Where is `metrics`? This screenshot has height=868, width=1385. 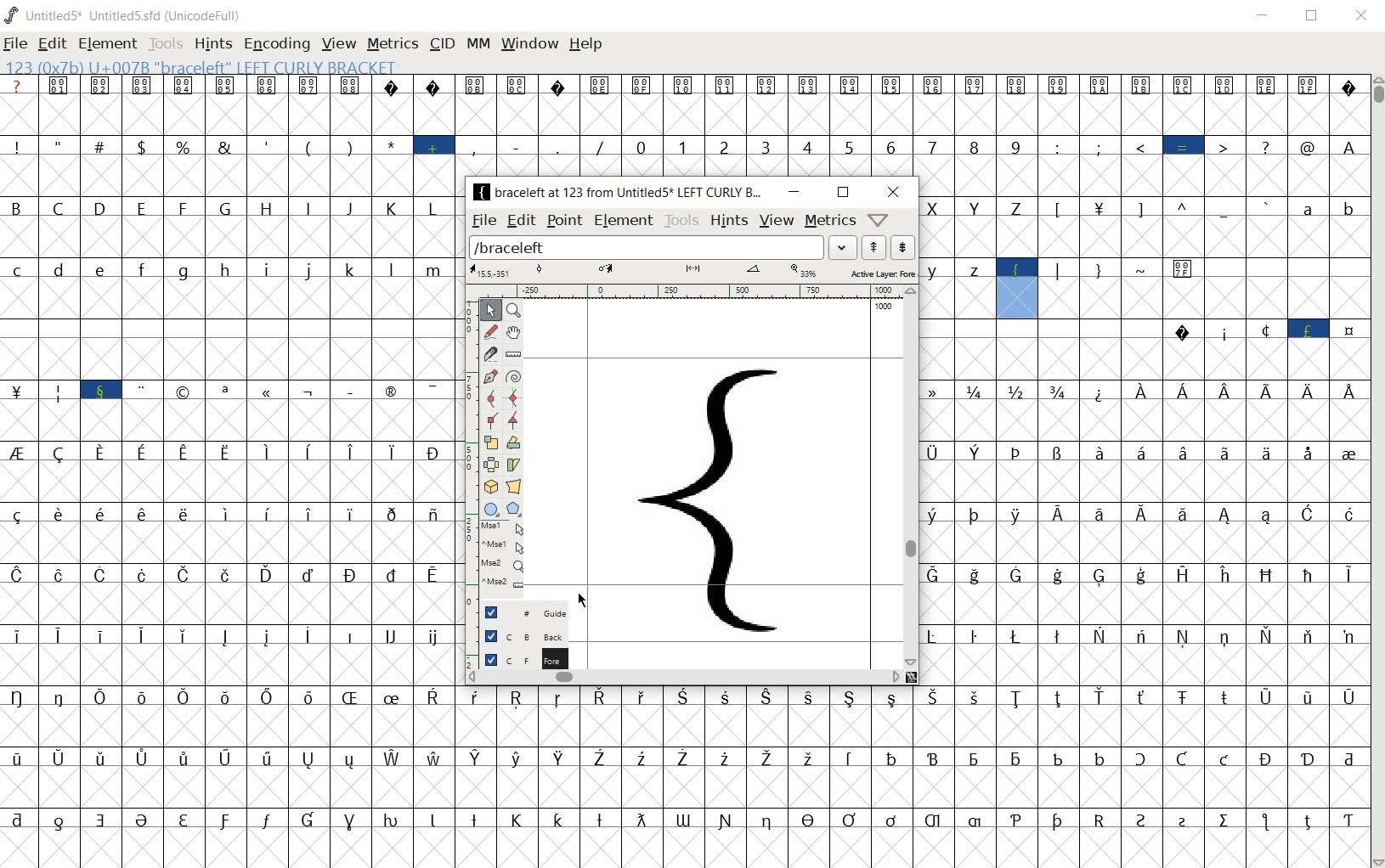 metrics is located at coordinates (829, 222).